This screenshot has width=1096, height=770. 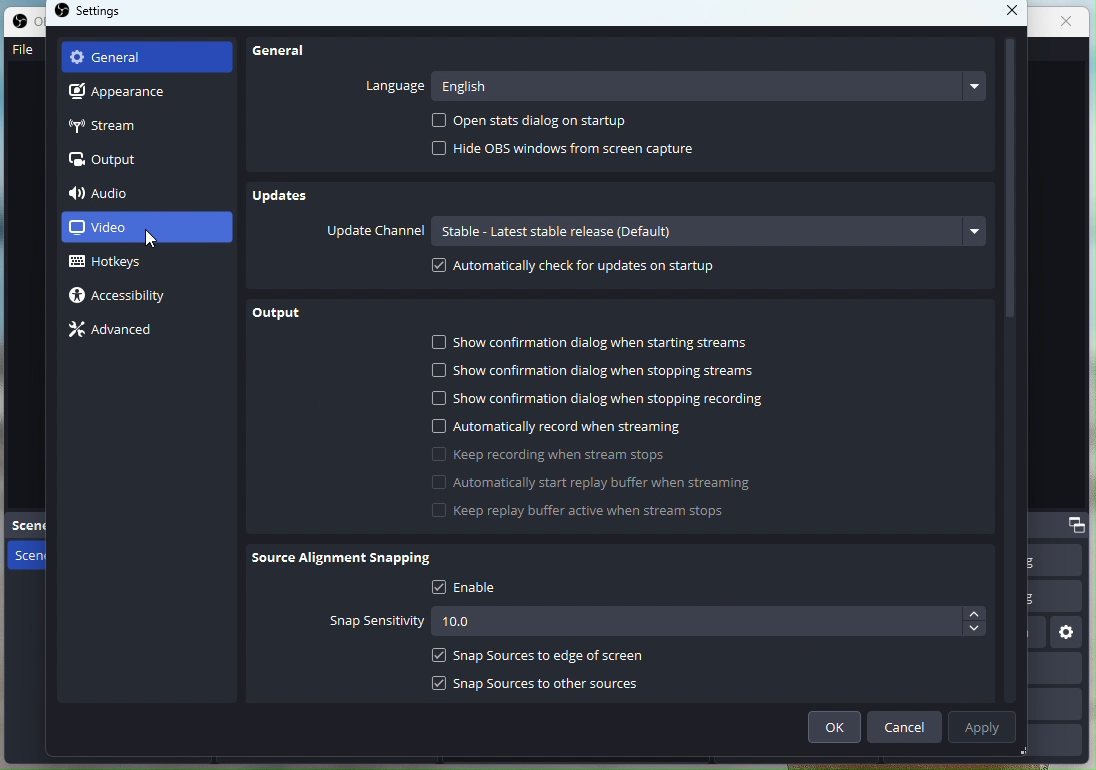 What do you see at coordinates (710, 653) in the screenshot?
I see `snap sources to edge of screen` at bounding box center [710, 653].